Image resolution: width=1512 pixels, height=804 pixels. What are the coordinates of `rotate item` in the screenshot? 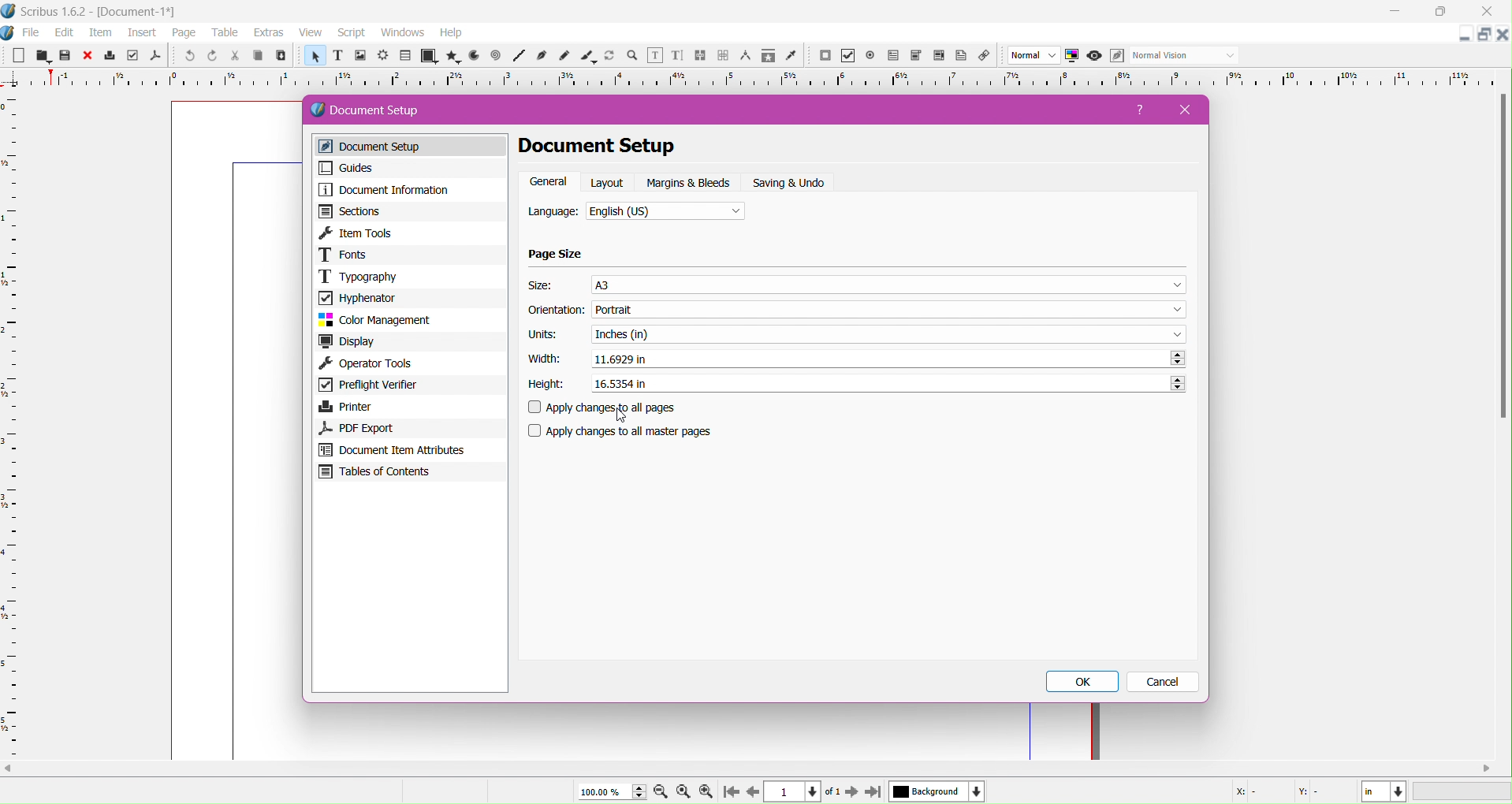 It's located at (611, 57).